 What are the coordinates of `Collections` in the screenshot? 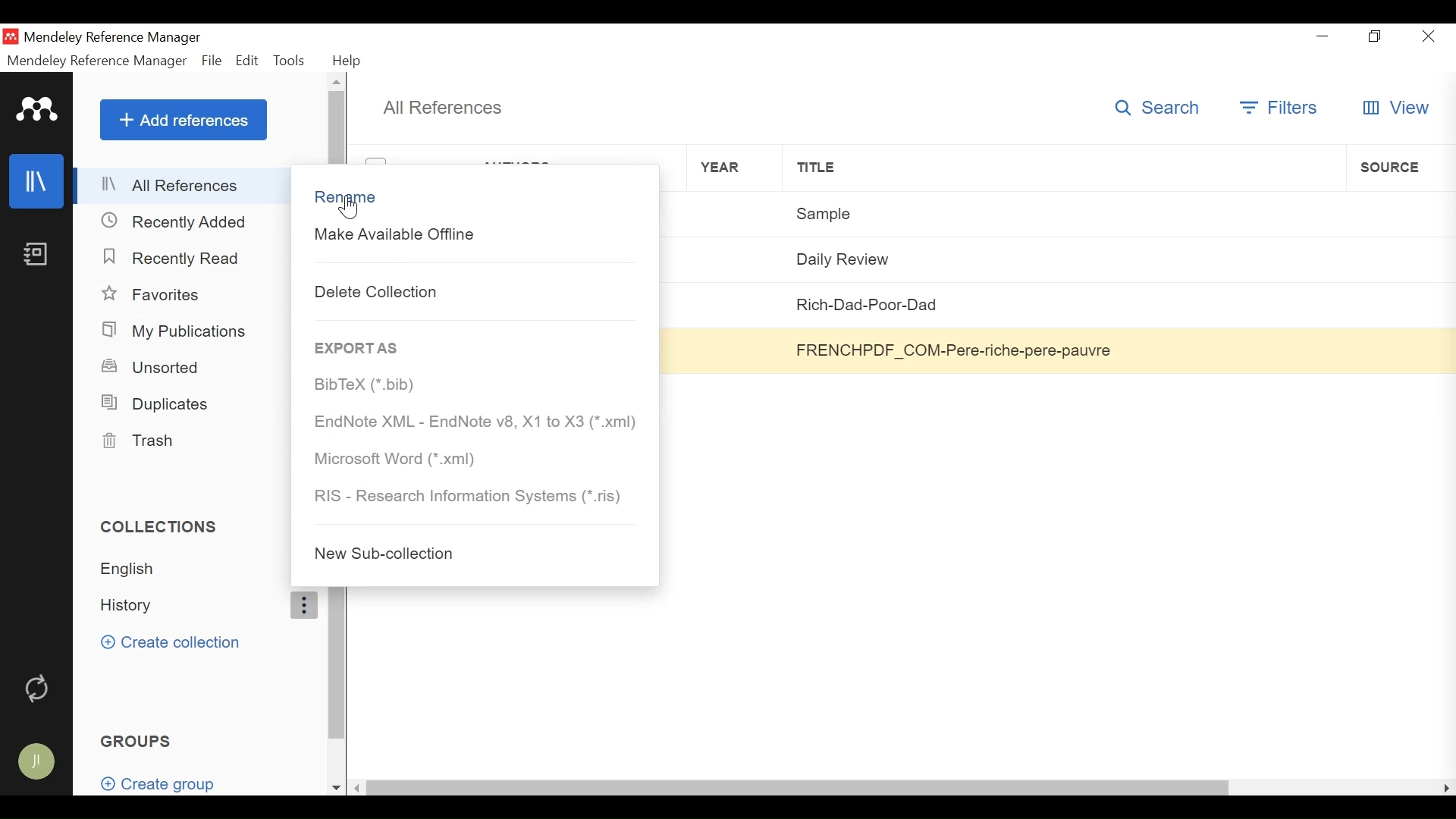 It's located at (166, 526).